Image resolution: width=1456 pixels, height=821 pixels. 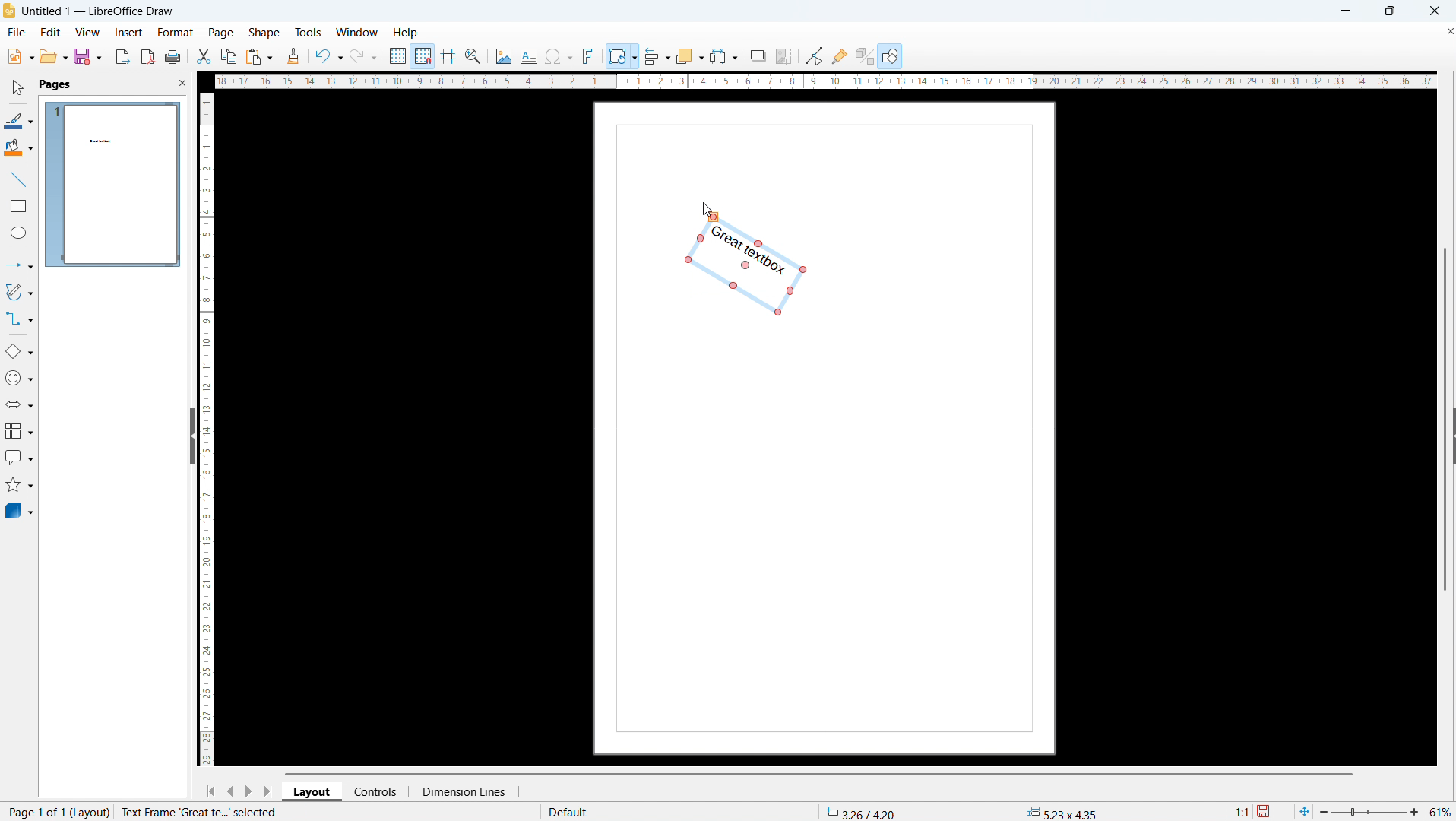 I want to click on insert, so click(x=128, y=33).